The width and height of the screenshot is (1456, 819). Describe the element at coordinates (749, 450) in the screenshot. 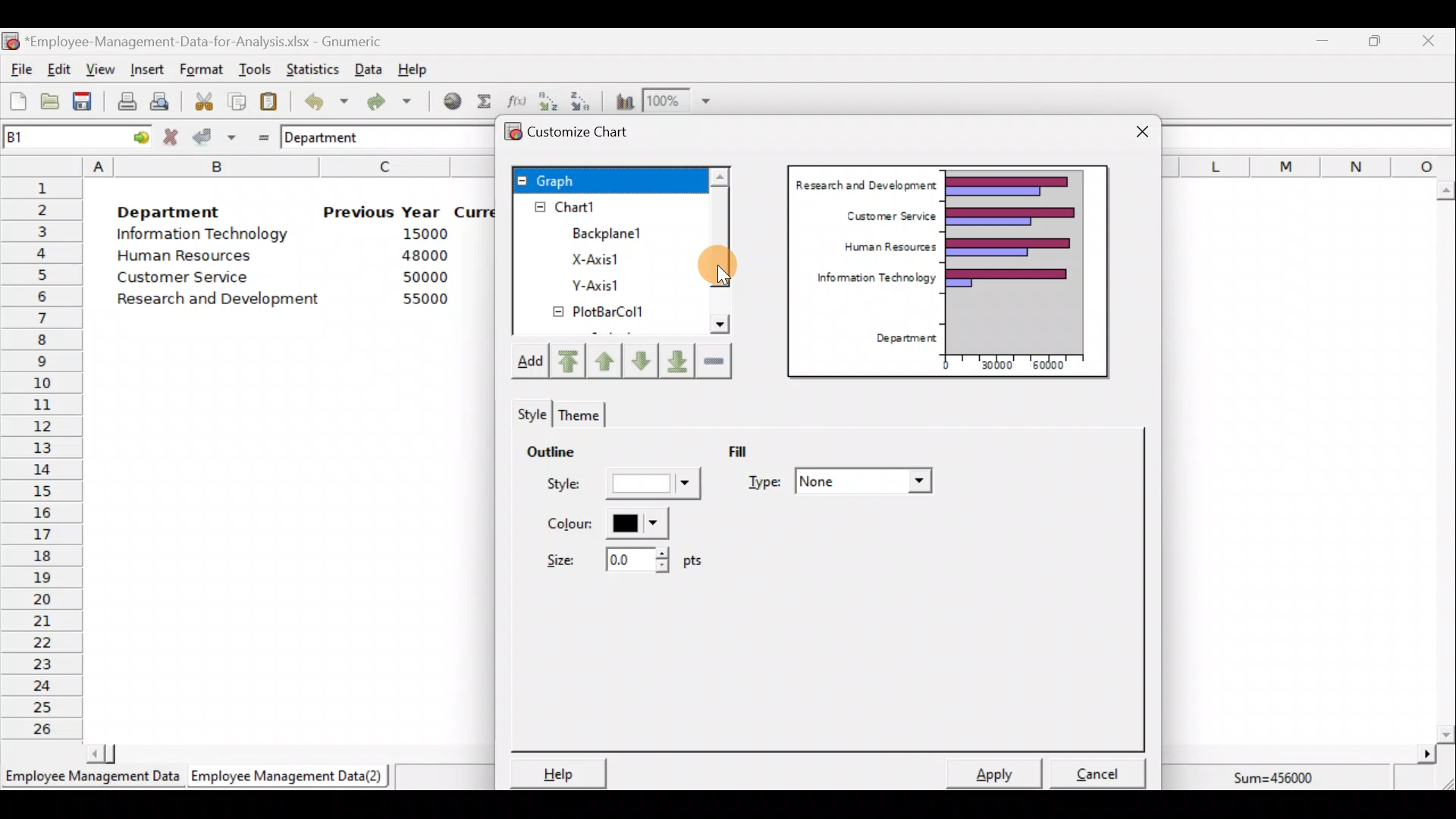

I see `Fill` at that location.